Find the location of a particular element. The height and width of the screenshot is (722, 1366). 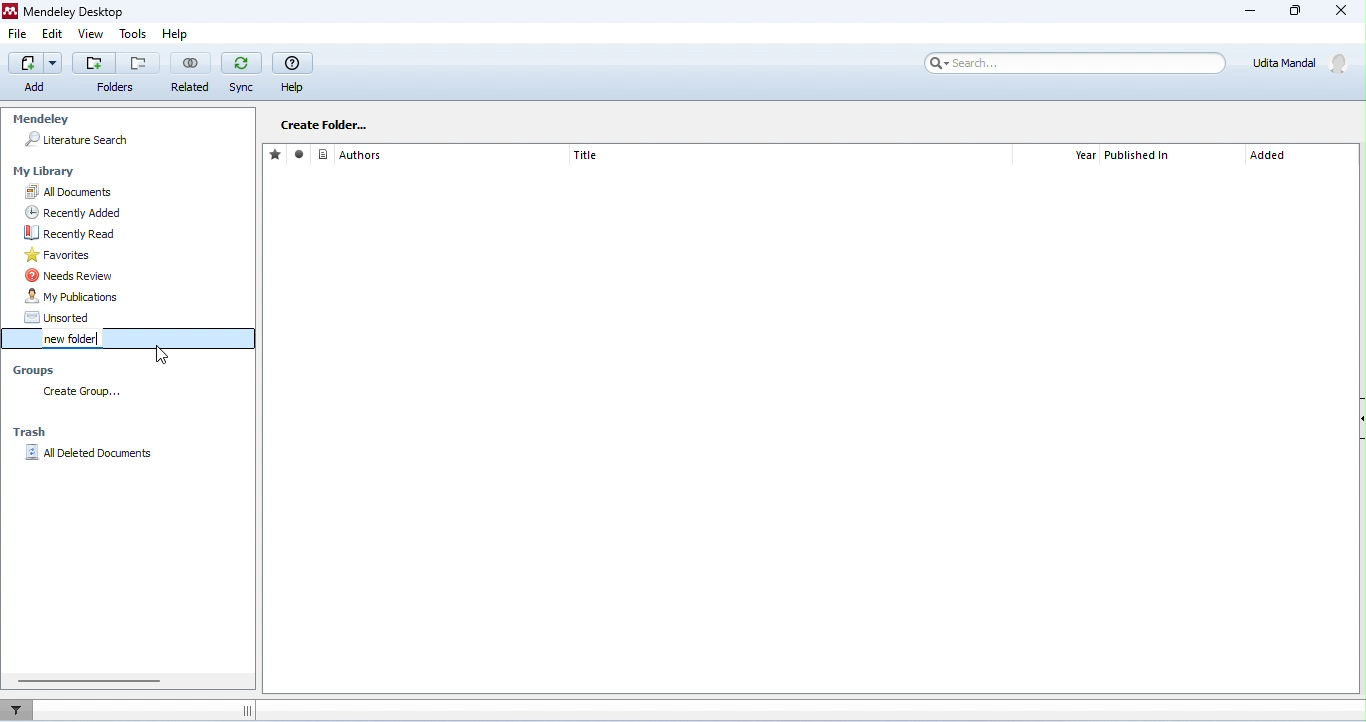

favorite is located at coordinates (277, 154).